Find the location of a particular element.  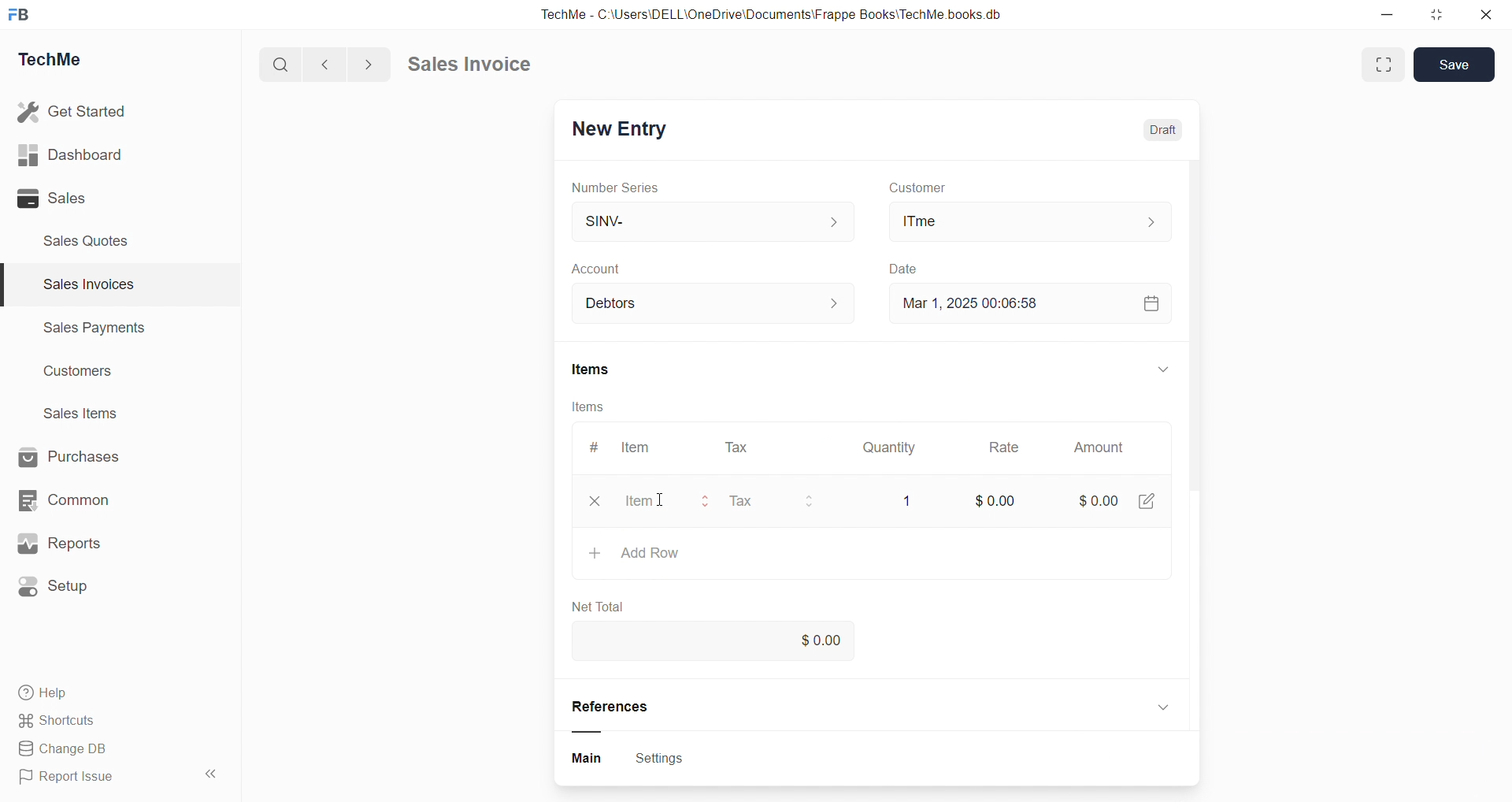

 Tax  is located at coordinates (783, 498).